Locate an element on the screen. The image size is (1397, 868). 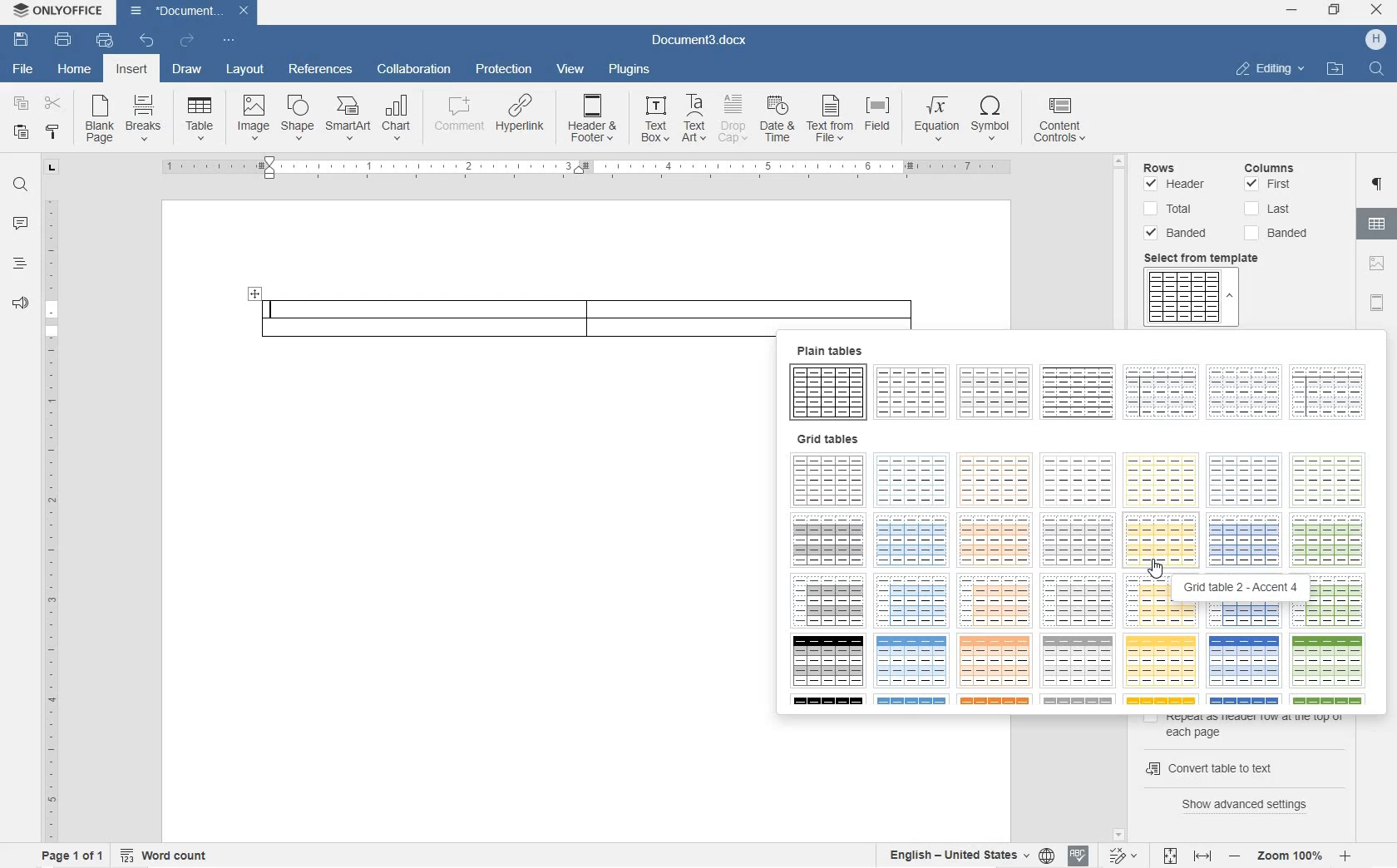
Document3.docx is located at coordinates (700, 38).